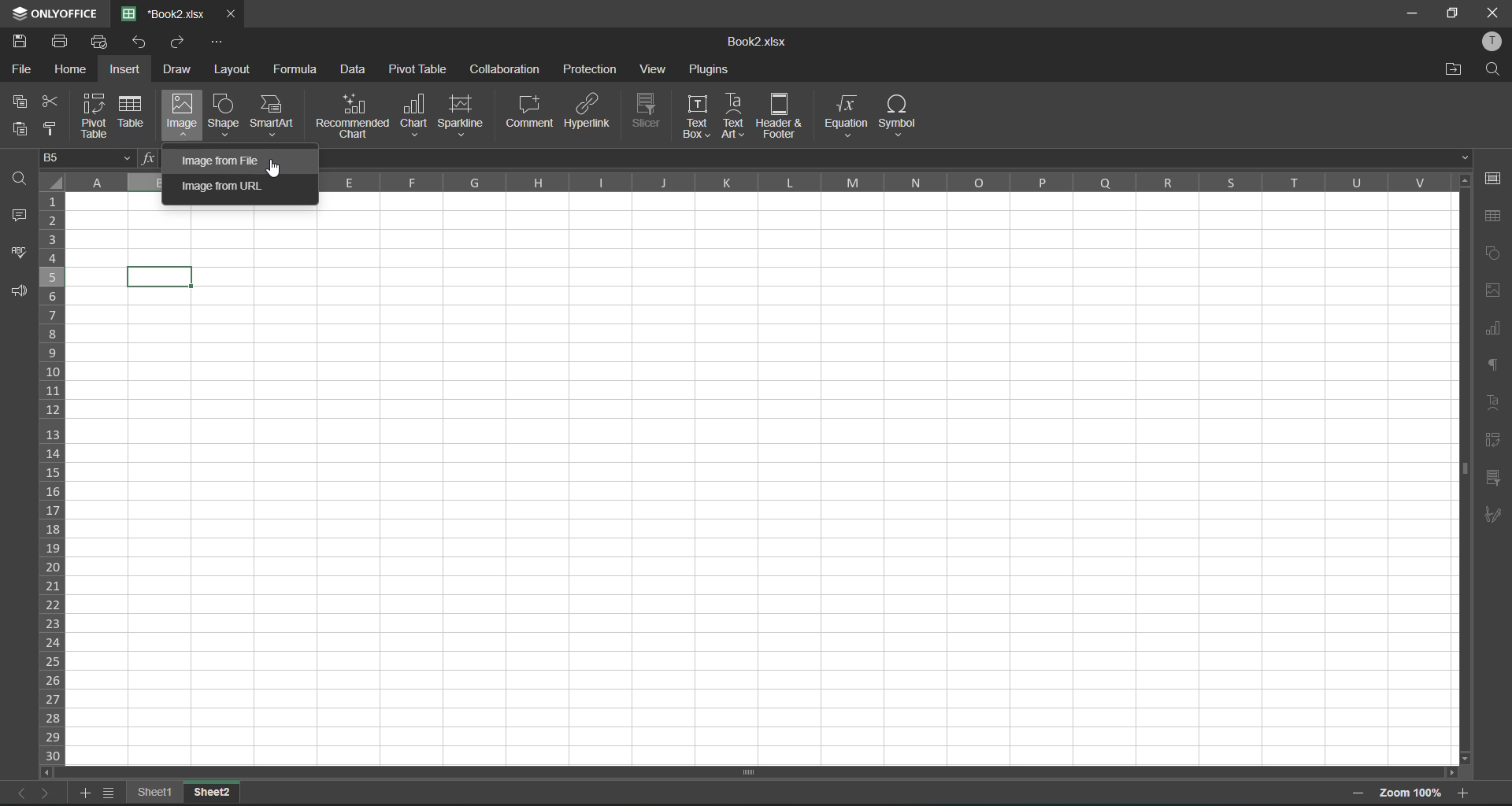 This screenshot has height=806, width=1512. I want to click on equation, so click(844, 115).